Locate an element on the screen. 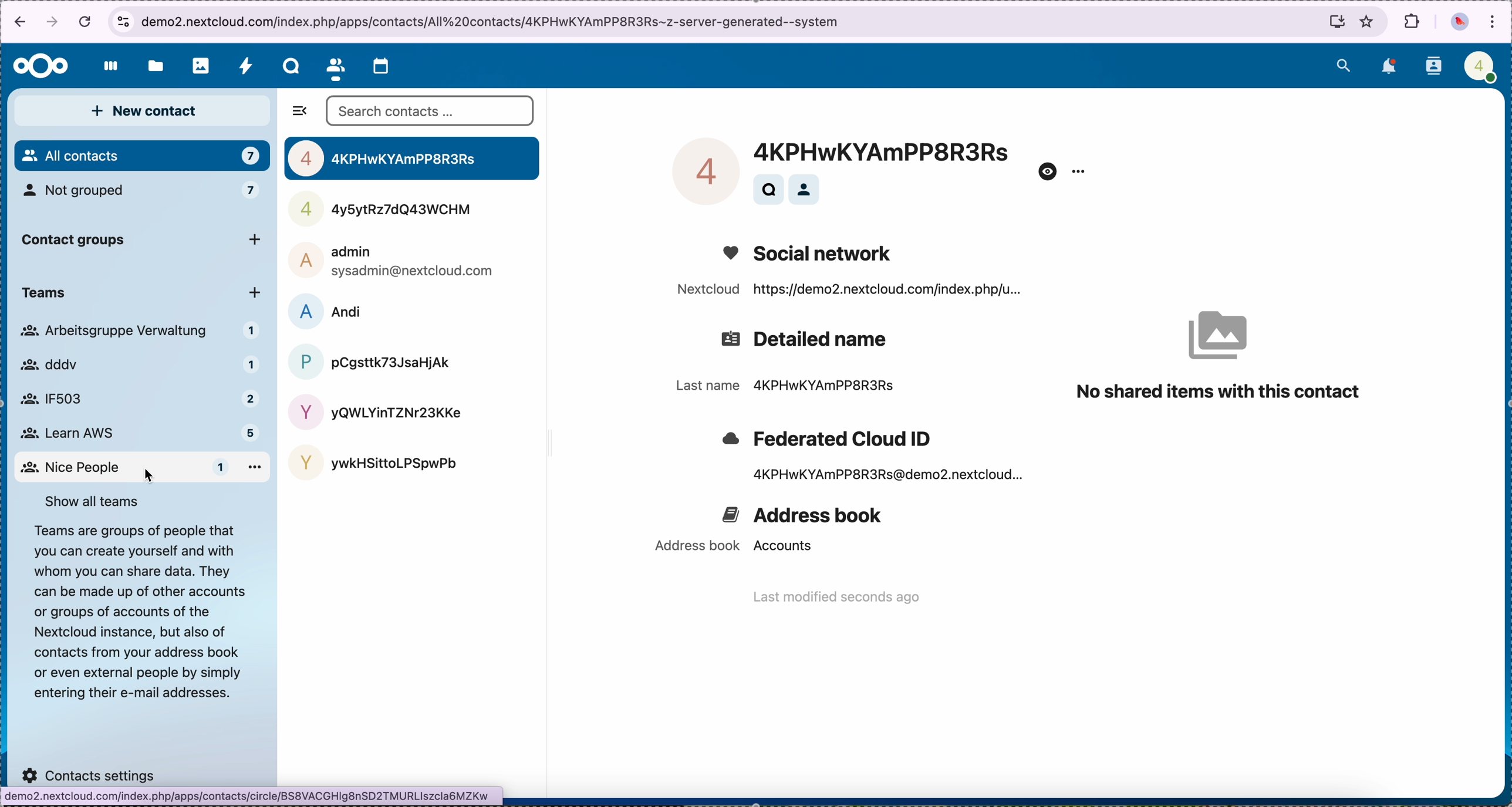 This screenshot has width=1512, height=807. social network is located at coordinates (814, 252).